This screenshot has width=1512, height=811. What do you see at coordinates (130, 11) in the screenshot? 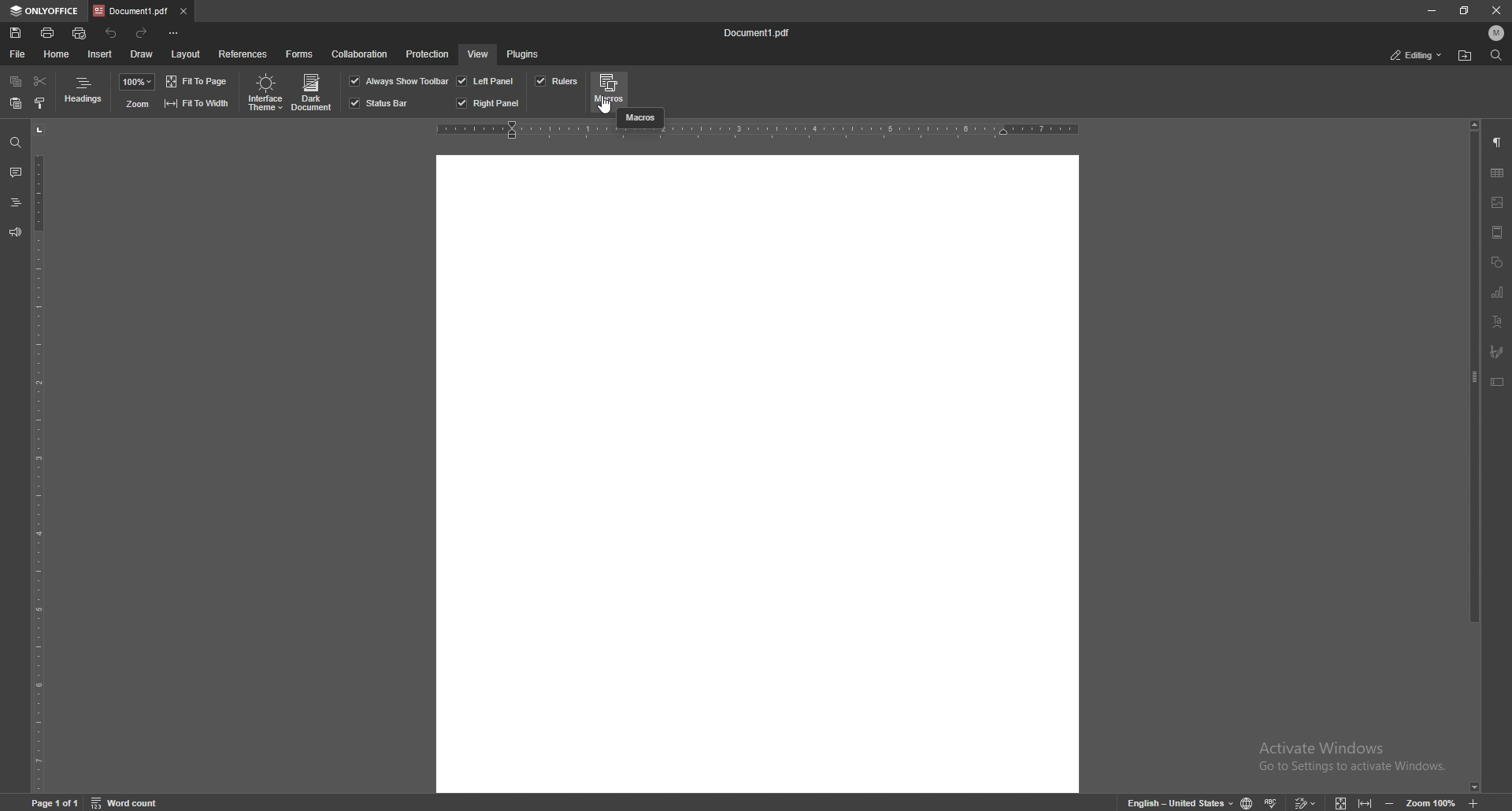
I see `tab` at bounding box center [130, 11].